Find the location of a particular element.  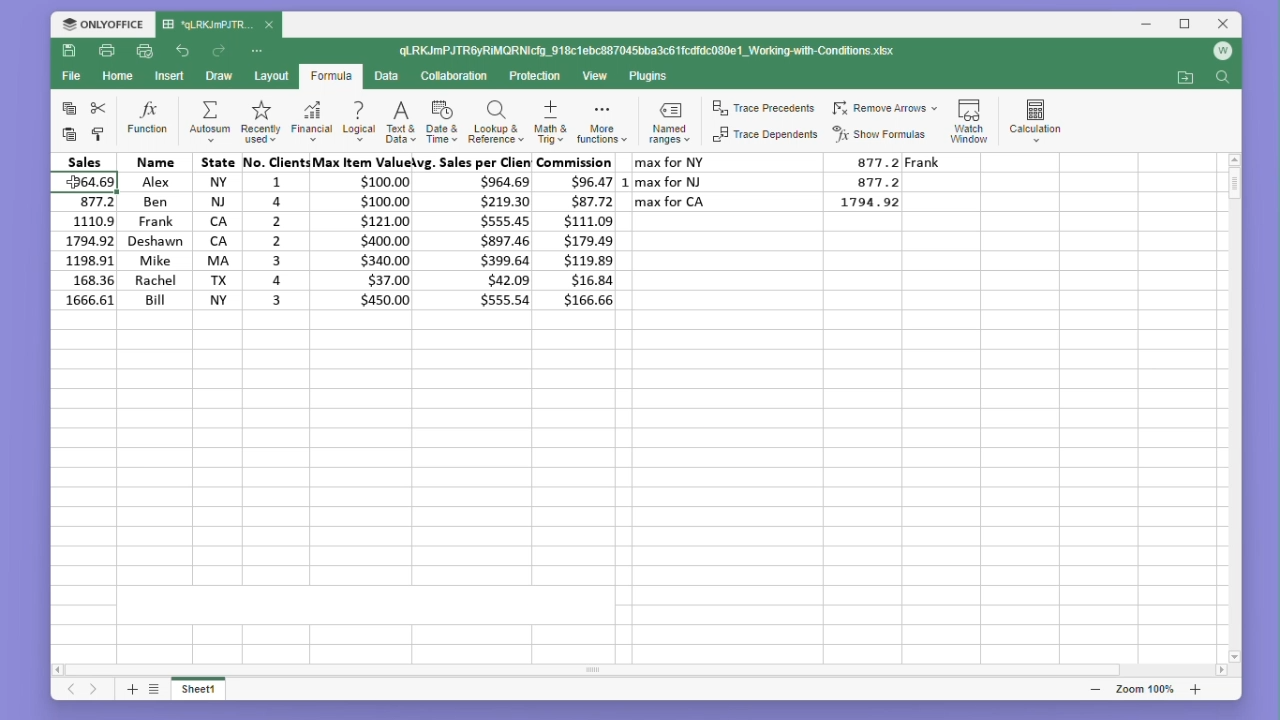

Calculation is located at coordinates (1036, 117).